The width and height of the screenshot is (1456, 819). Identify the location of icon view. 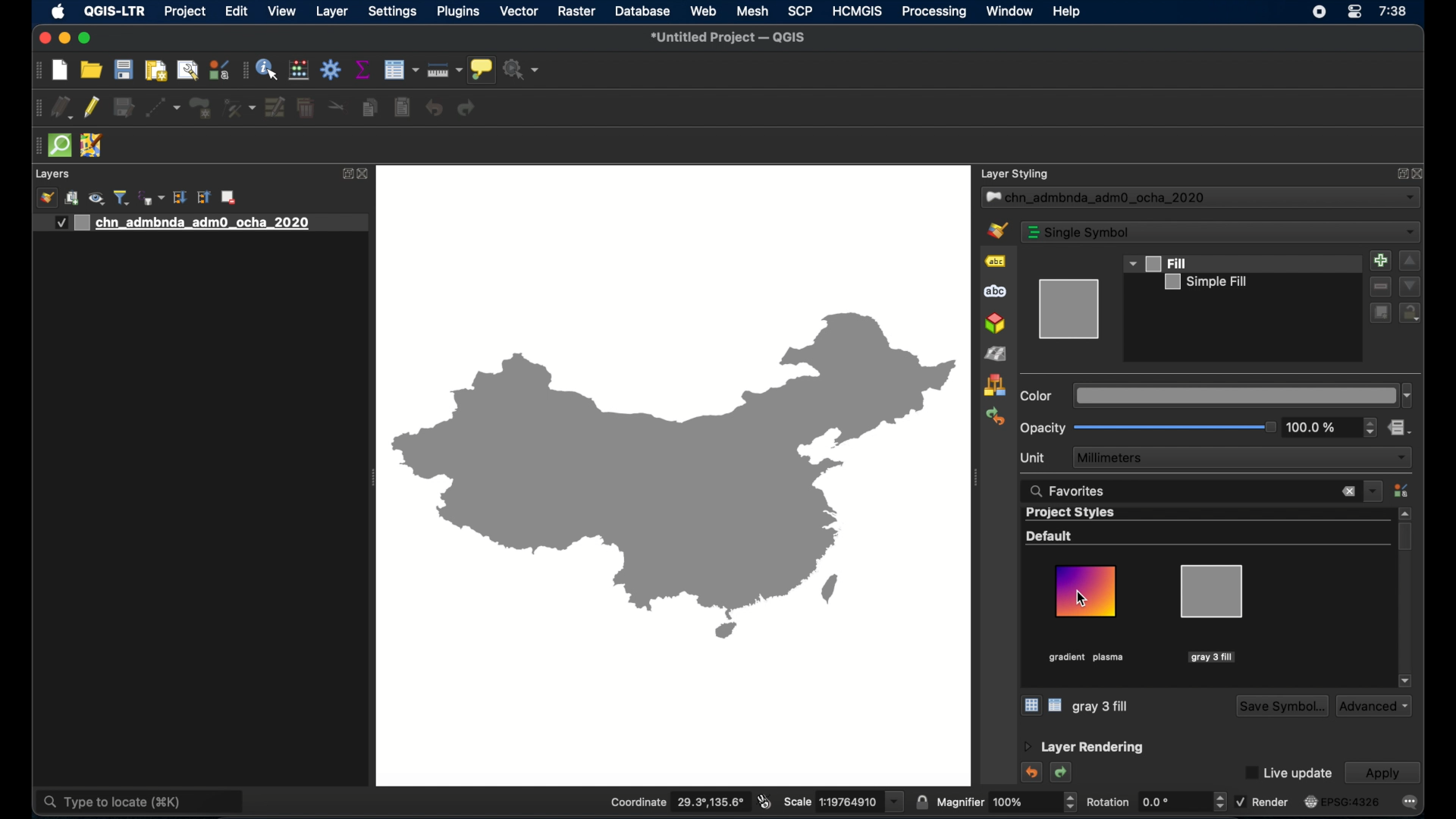
(1031, 704).